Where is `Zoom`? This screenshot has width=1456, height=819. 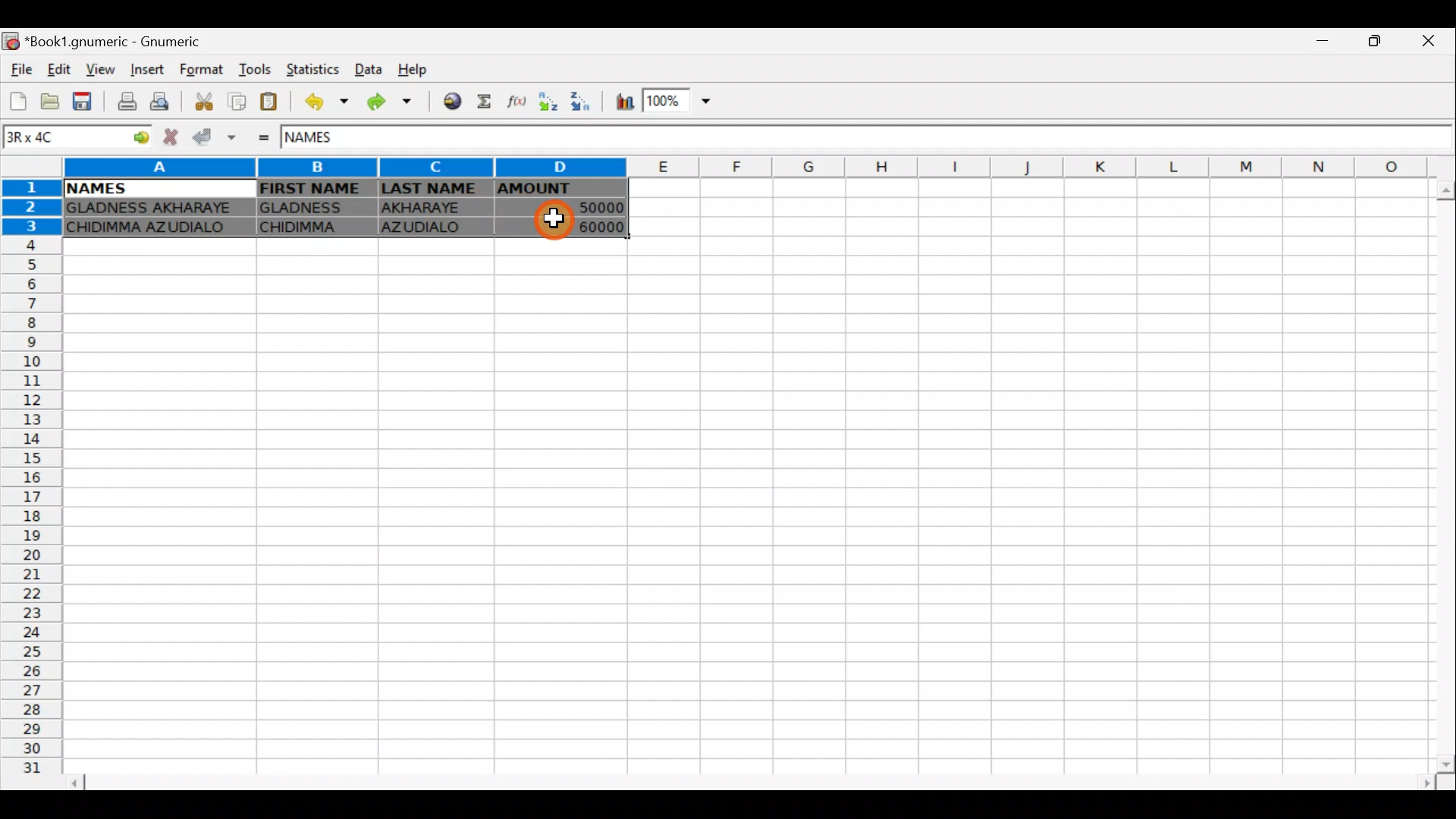
Zoom is located at coordinates (682, 99).